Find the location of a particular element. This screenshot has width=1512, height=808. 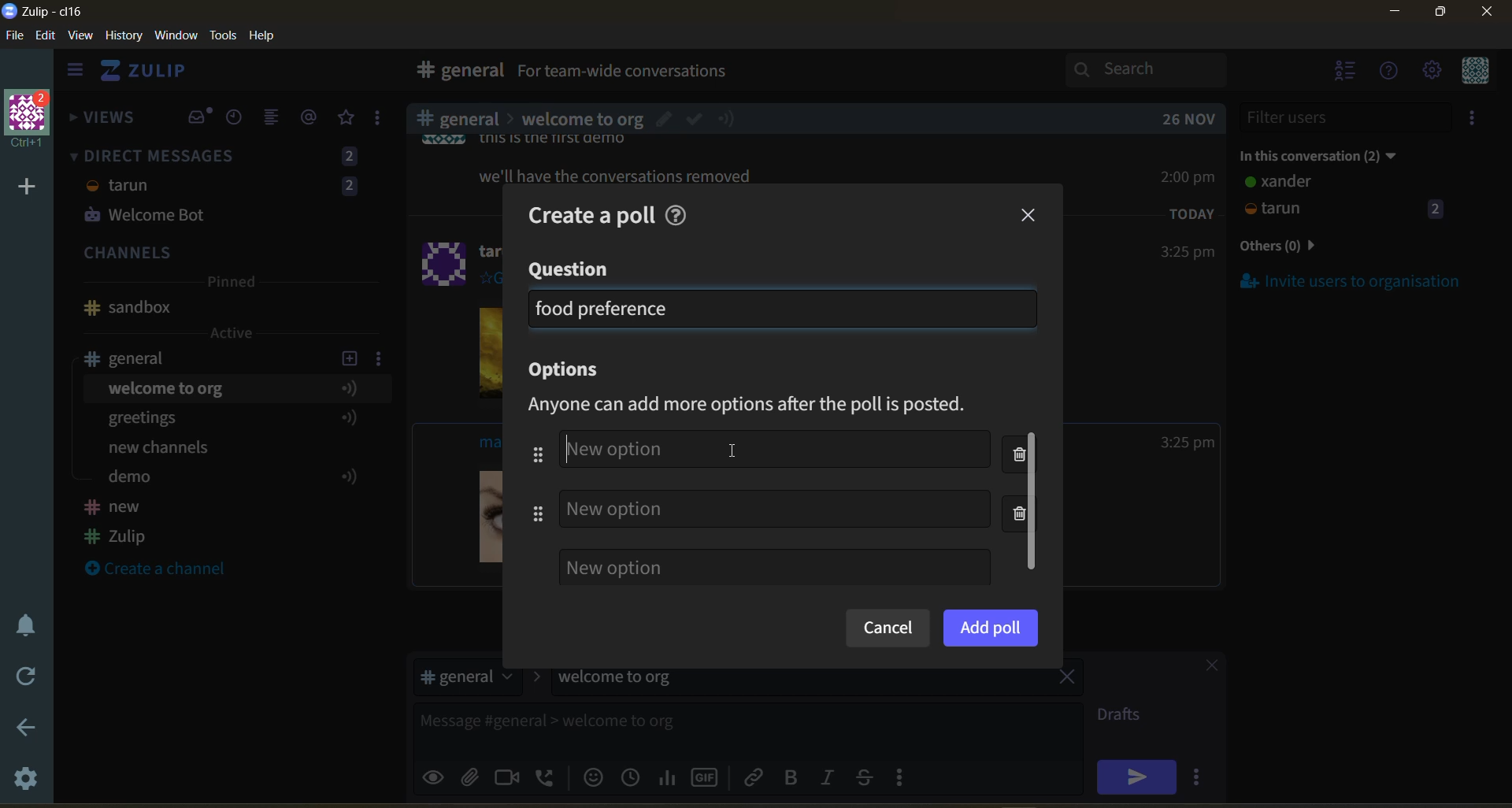

views is located at coordinates (103, 122).